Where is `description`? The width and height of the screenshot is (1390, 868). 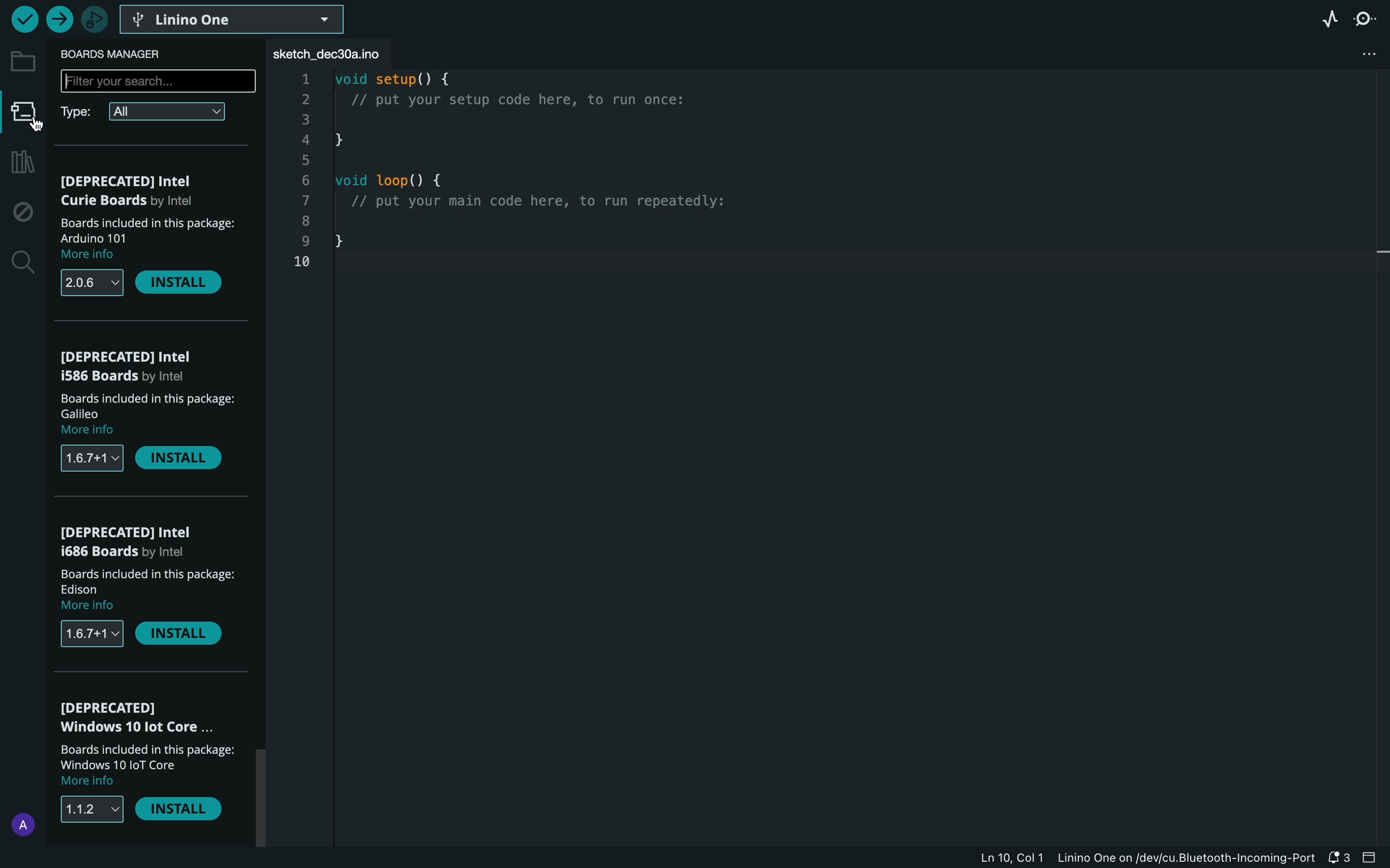
description is located at coordinates (147, 766).